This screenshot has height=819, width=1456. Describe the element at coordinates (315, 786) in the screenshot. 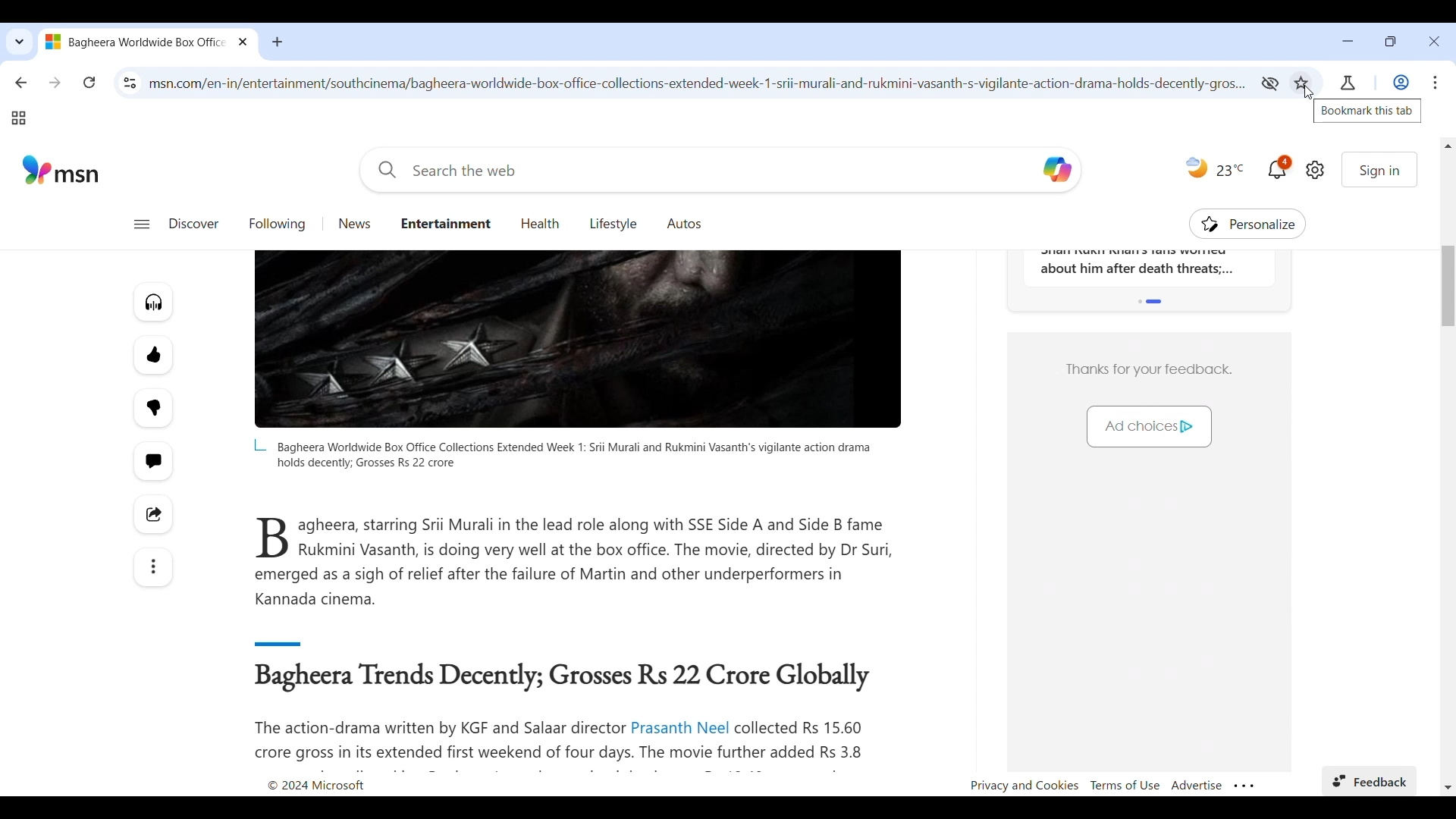

I see `Copyright of Microsoft` at that location.